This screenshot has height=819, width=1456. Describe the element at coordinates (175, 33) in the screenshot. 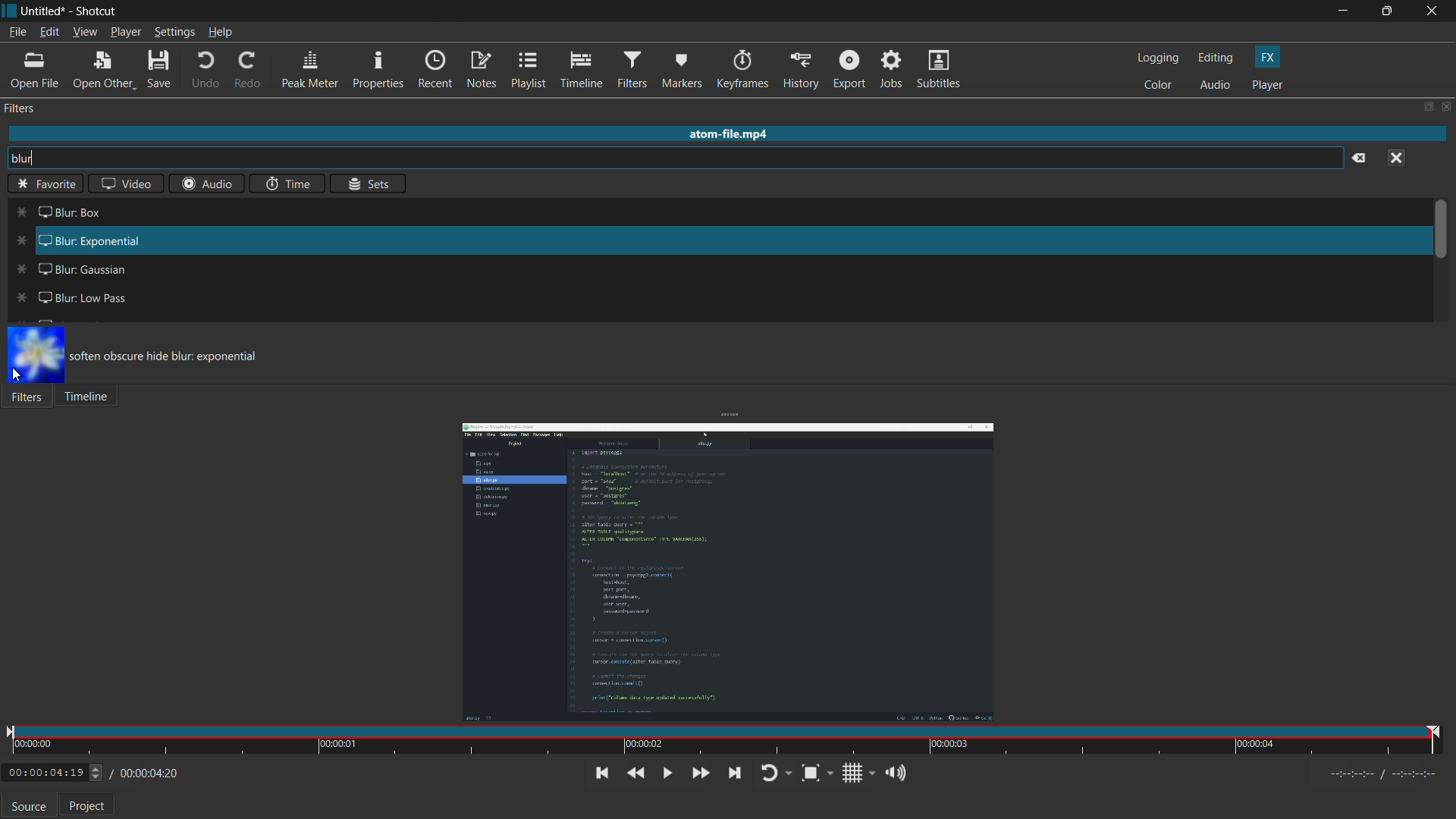

I see `settings menu` at that location.